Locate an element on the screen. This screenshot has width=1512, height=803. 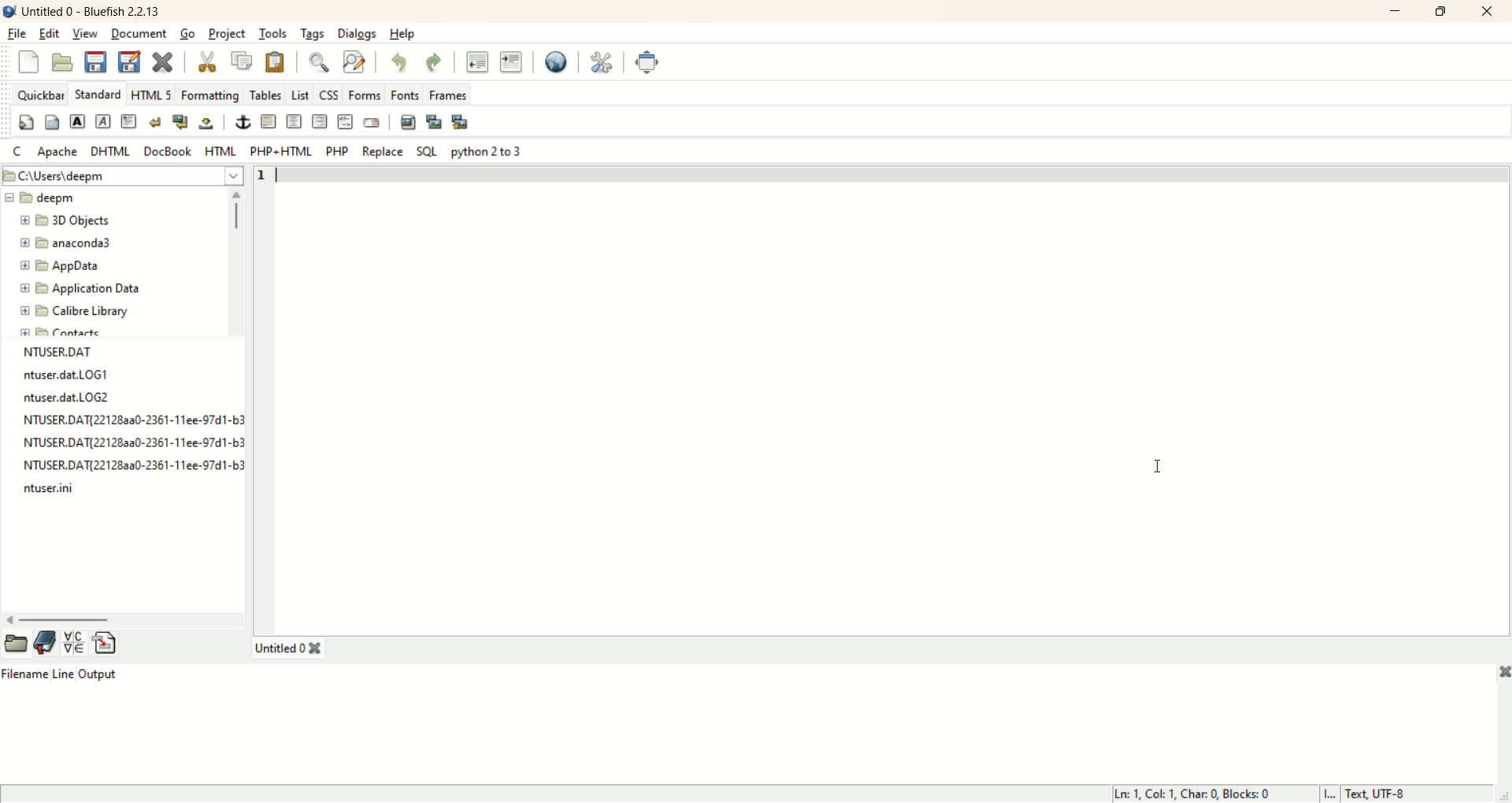
List is located at coordinates (302, 94).